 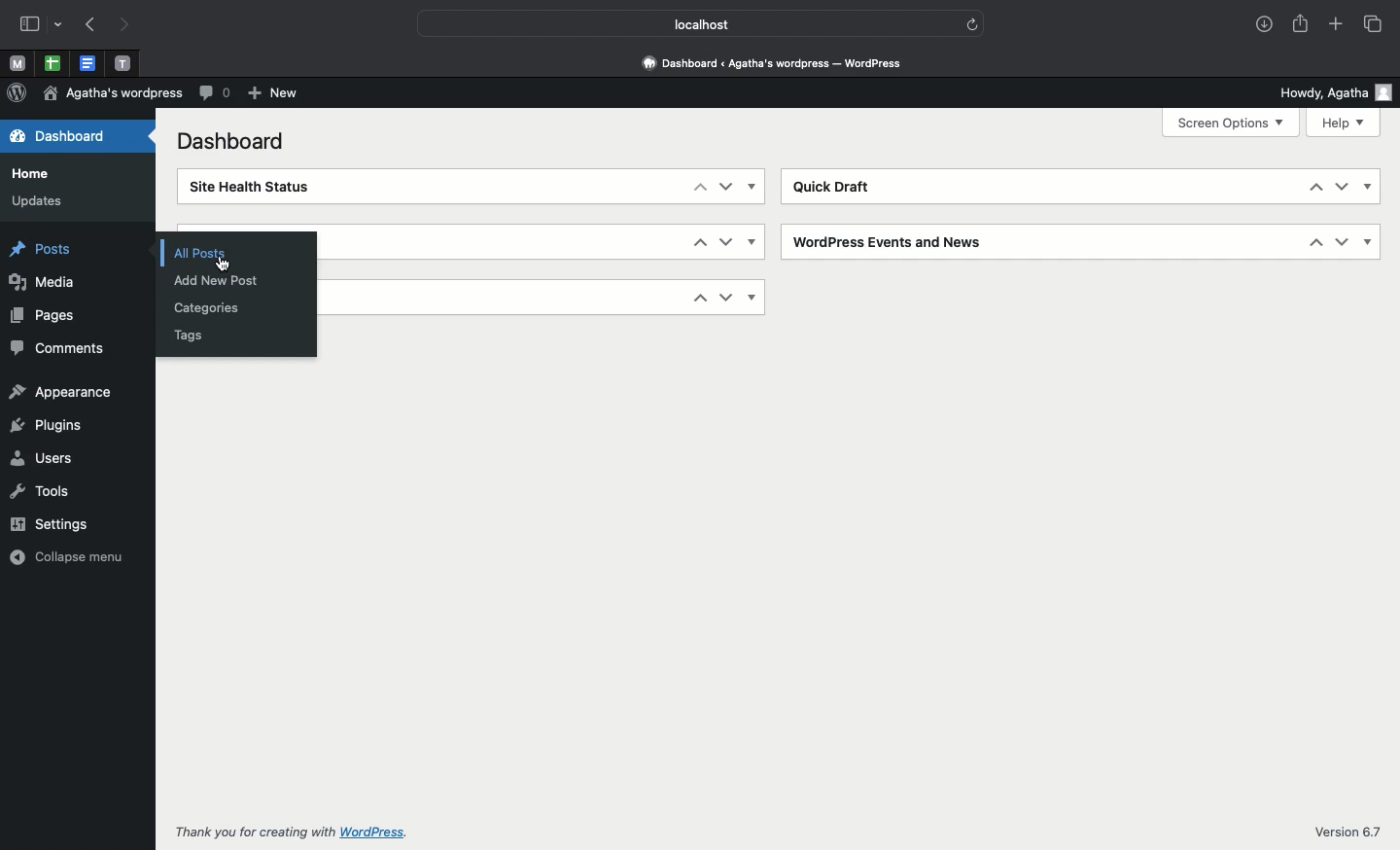 I want to click on Home, so click(x=36, y=172).